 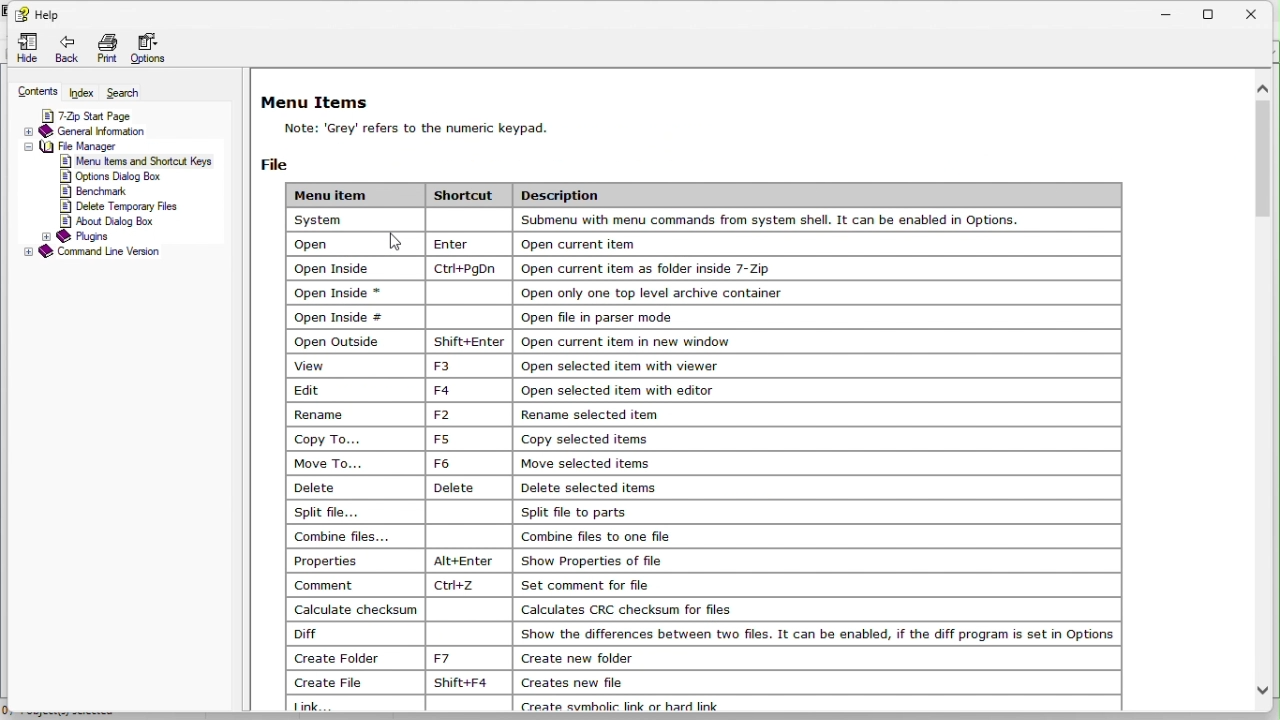 I want to click on LInk | | Click symbolic link or hard link, so click(x=576, y=703).